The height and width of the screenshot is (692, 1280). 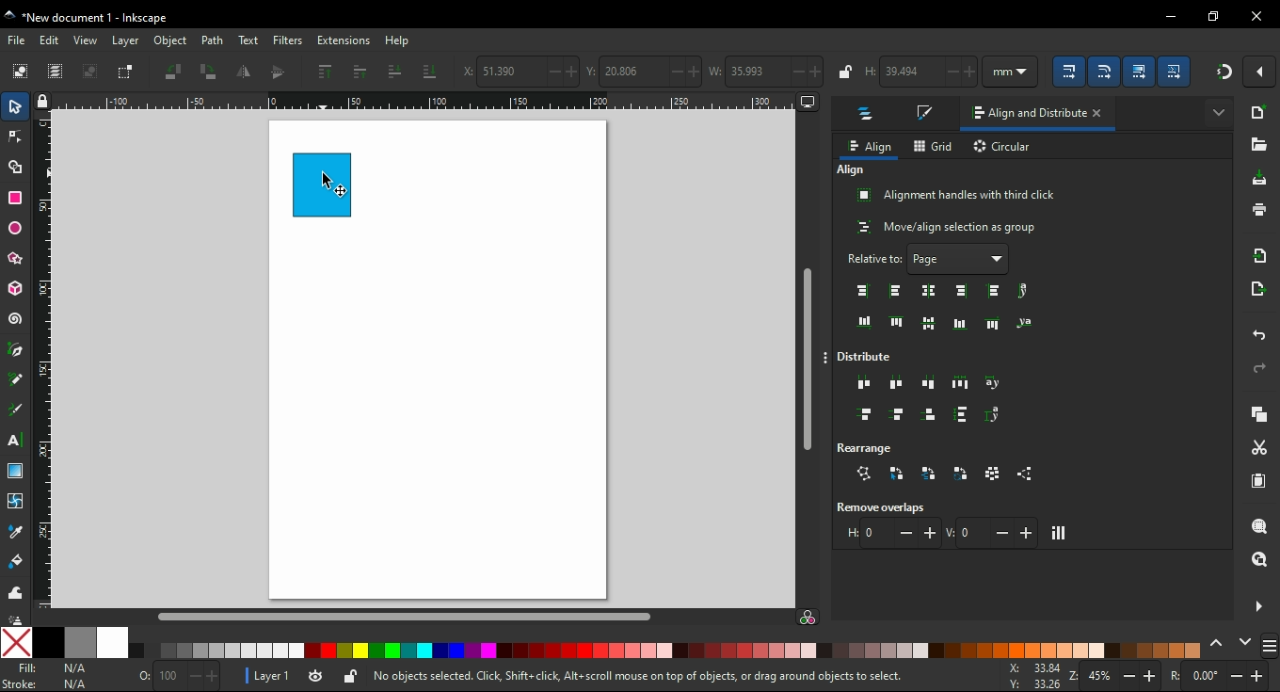 I want to click on distribute horizontally with even spacing between right edges, so click(x=931, y=382).